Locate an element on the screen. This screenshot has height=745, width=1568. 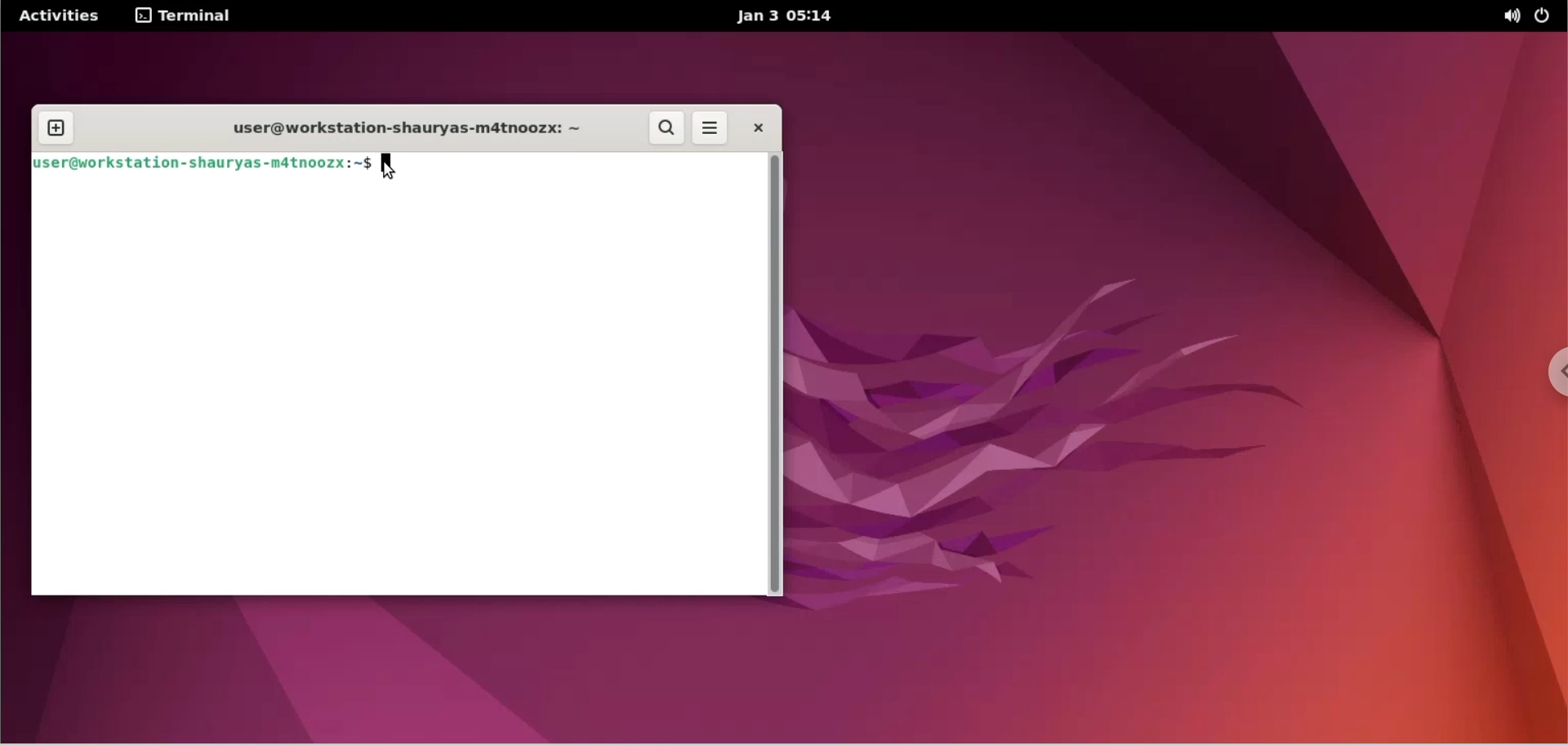
power options is located at coordinates (1546, 16).